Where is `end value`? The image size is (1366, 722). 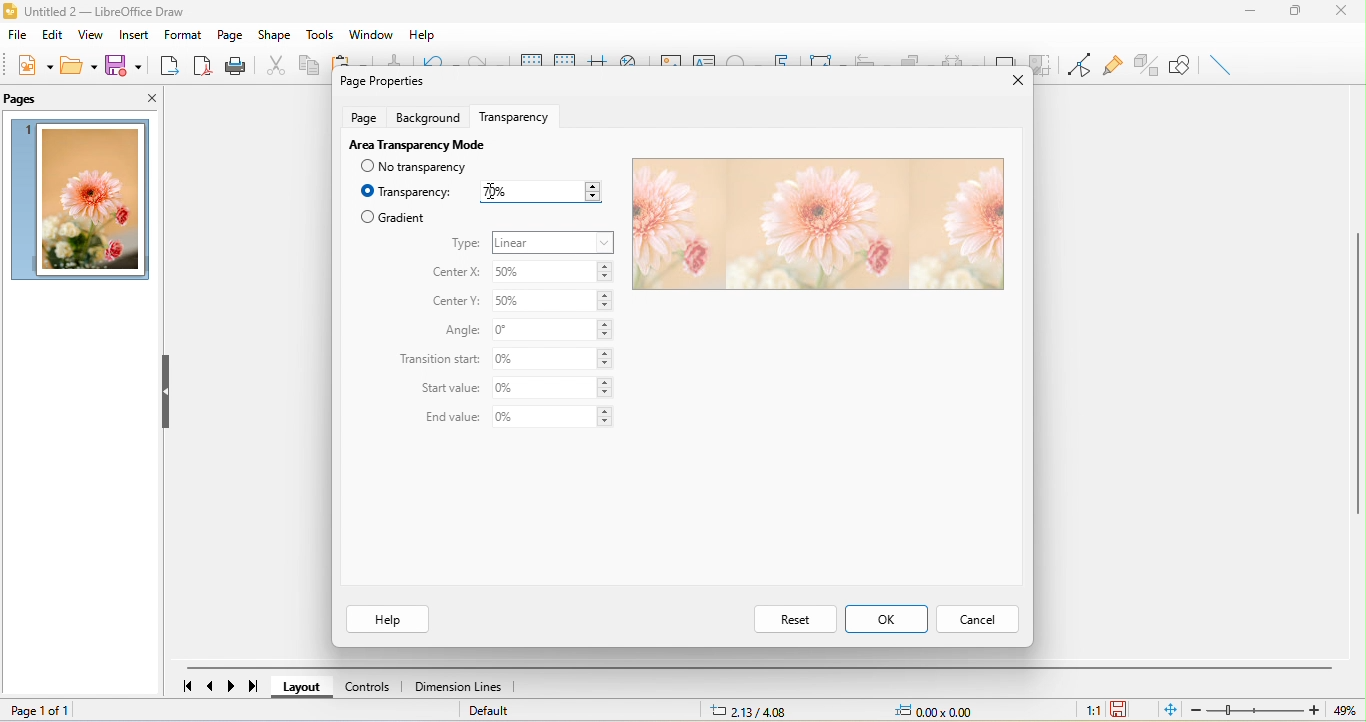
end value is located at coordinates (447, 418).